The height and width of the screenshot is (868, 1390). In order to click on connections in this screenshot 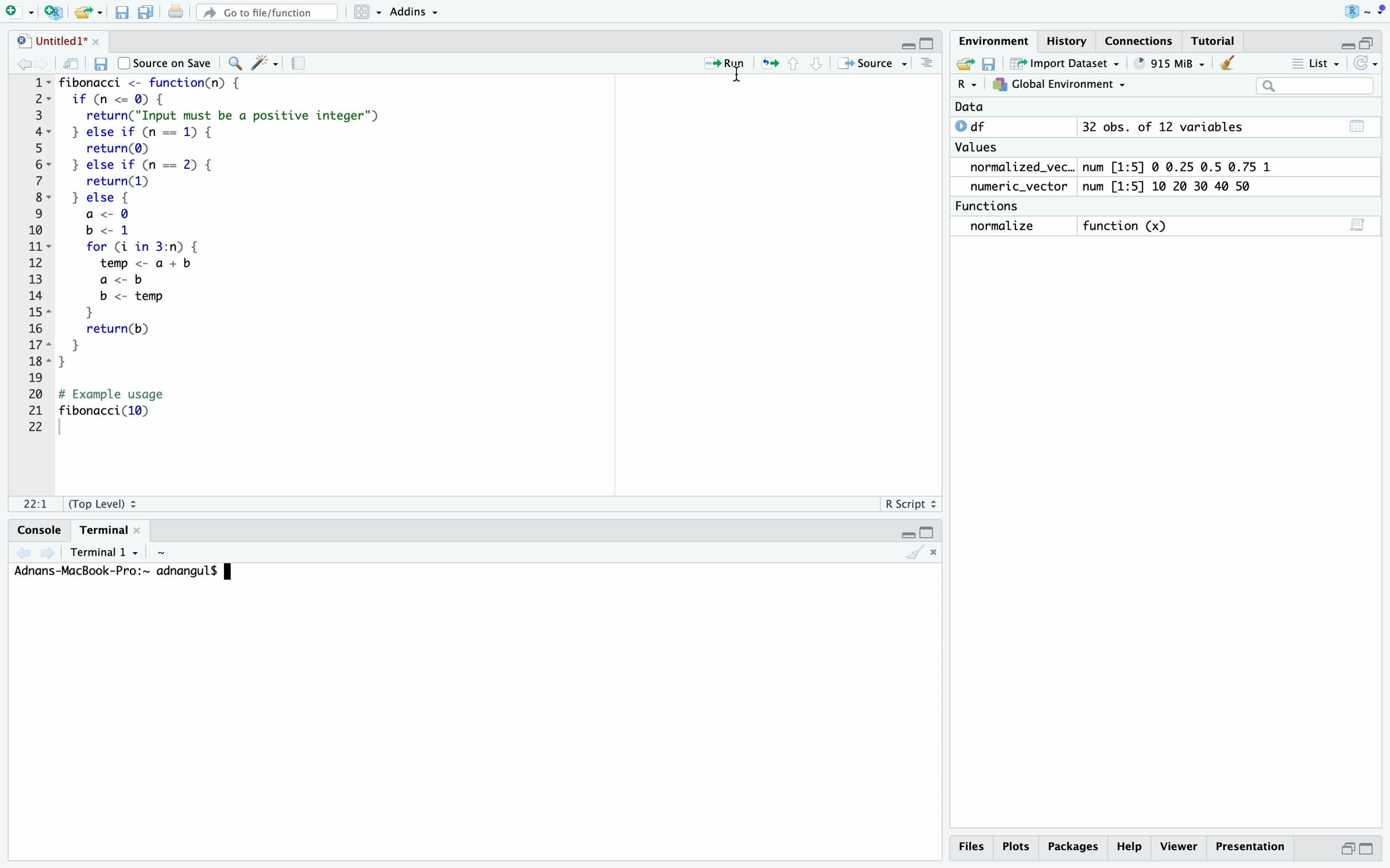, I will do `click(1140, 37)`.